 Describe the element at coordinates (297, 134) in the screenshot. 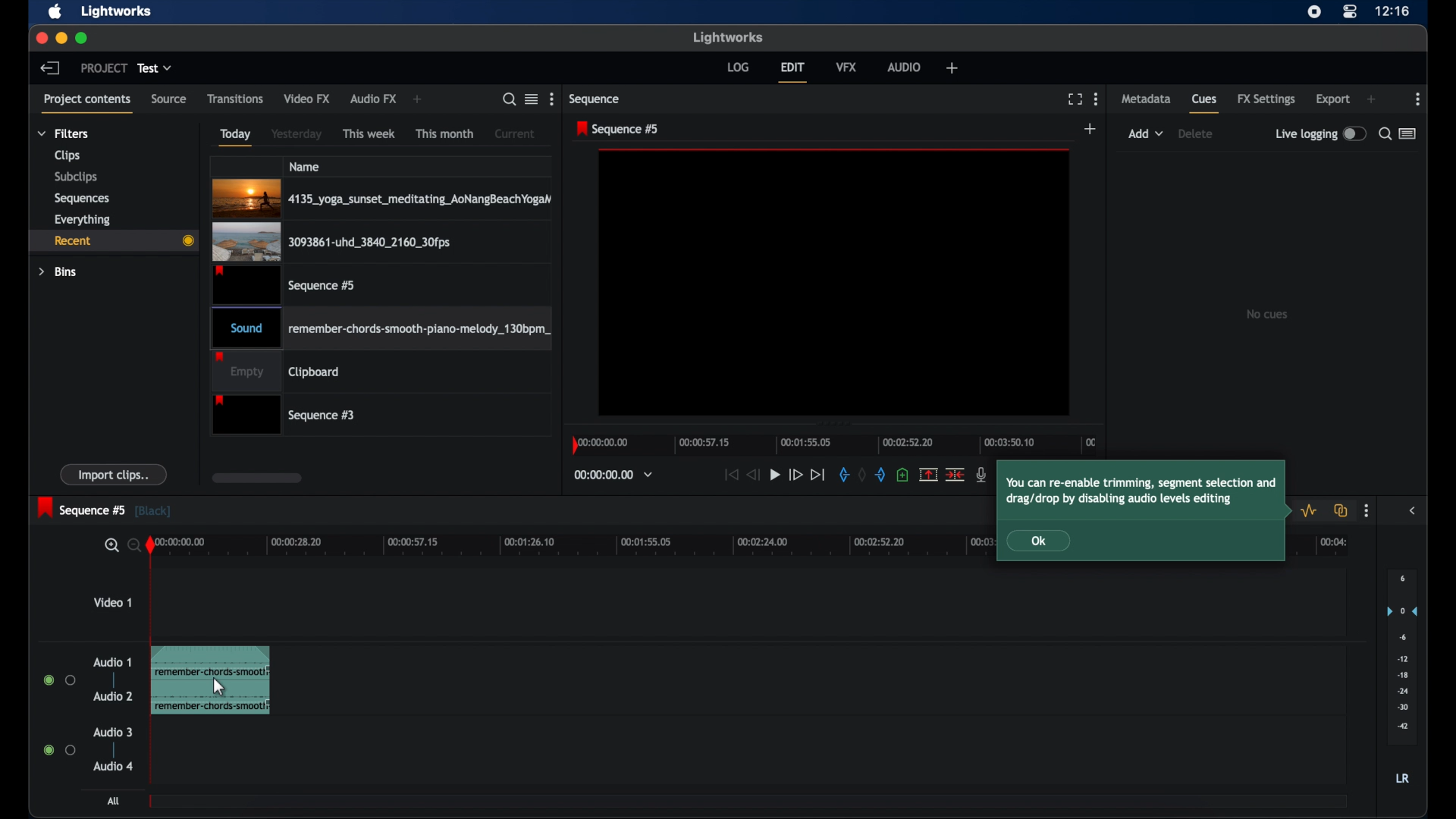

I see `yesterday` at that location.